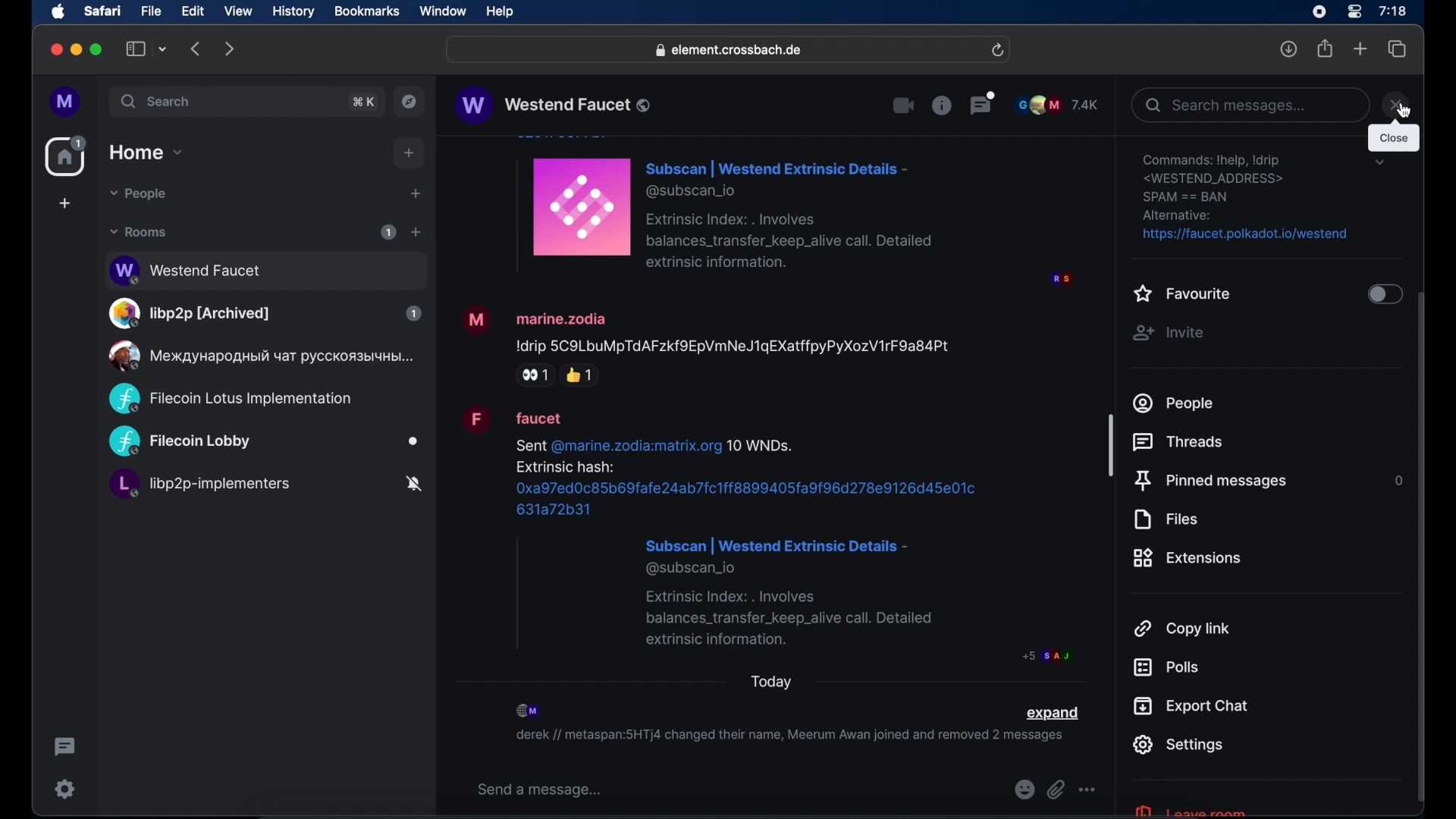 The width and height of the screenshot is (1456, 819). What do you see at coordinates (1168, 333) in the screenshot?
I see `invite` at bounding box center [1168, 333].